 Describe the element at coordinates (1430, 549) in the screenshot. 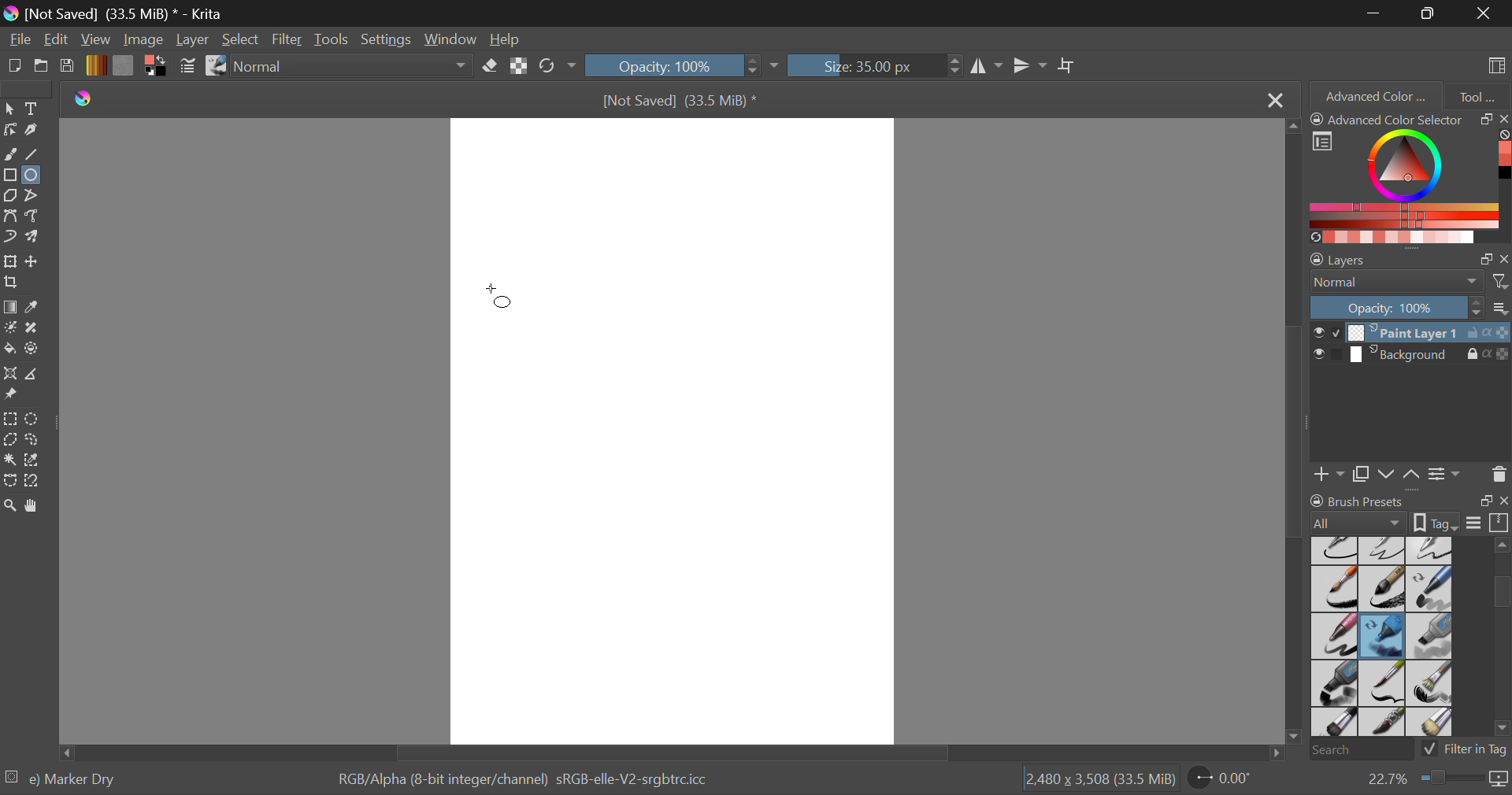

I see `Ink-4 Pen Rough` at that location.